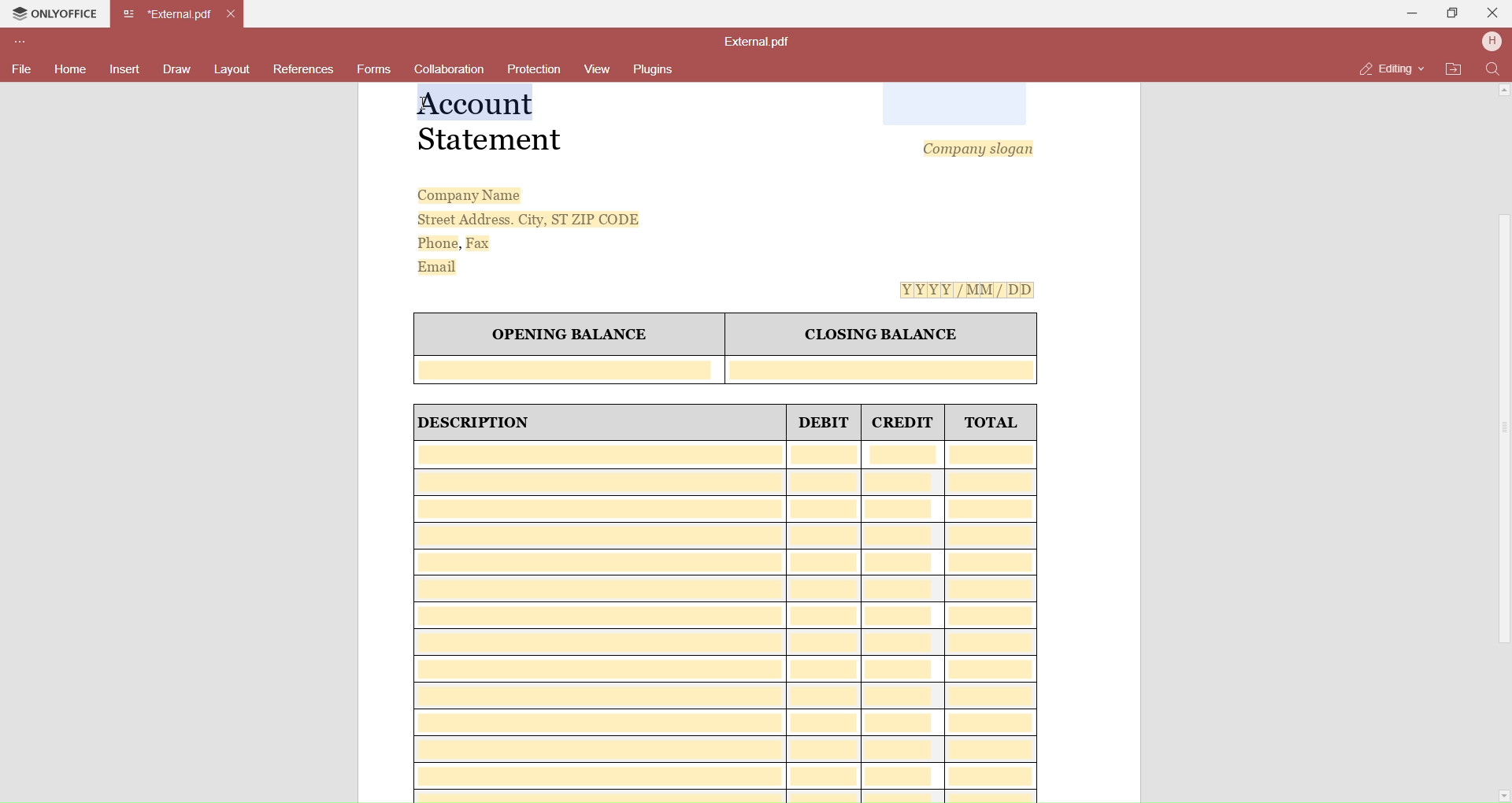 The height and width of the screenshot is (803, 1512). I want to click on [Y[Y[Y[Y[/MM/ DD], so click(970, 290).